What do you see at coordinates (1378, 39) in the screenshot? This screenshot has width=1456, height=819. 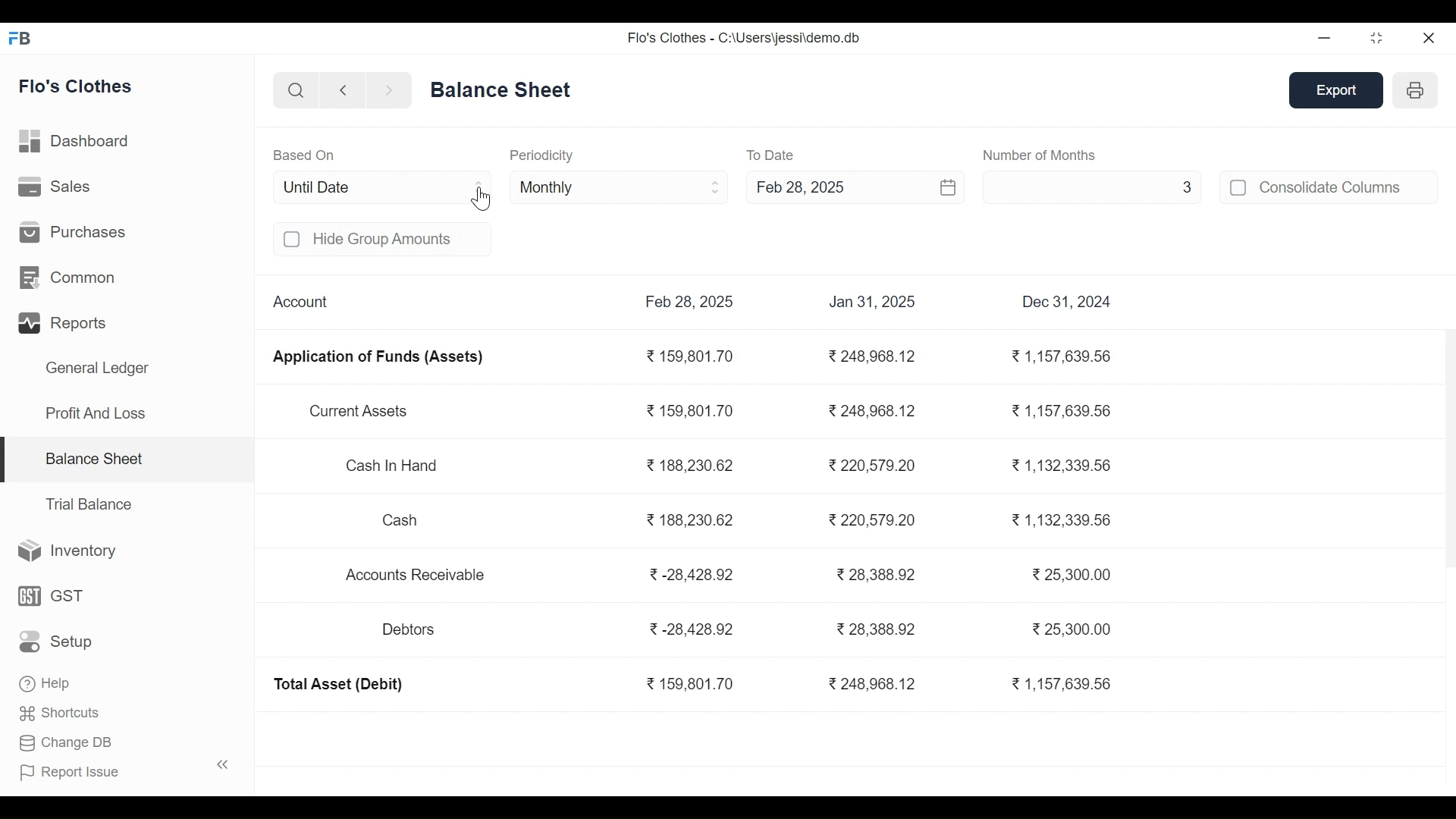 I see `restore view` at bounding box center [1378, 39].